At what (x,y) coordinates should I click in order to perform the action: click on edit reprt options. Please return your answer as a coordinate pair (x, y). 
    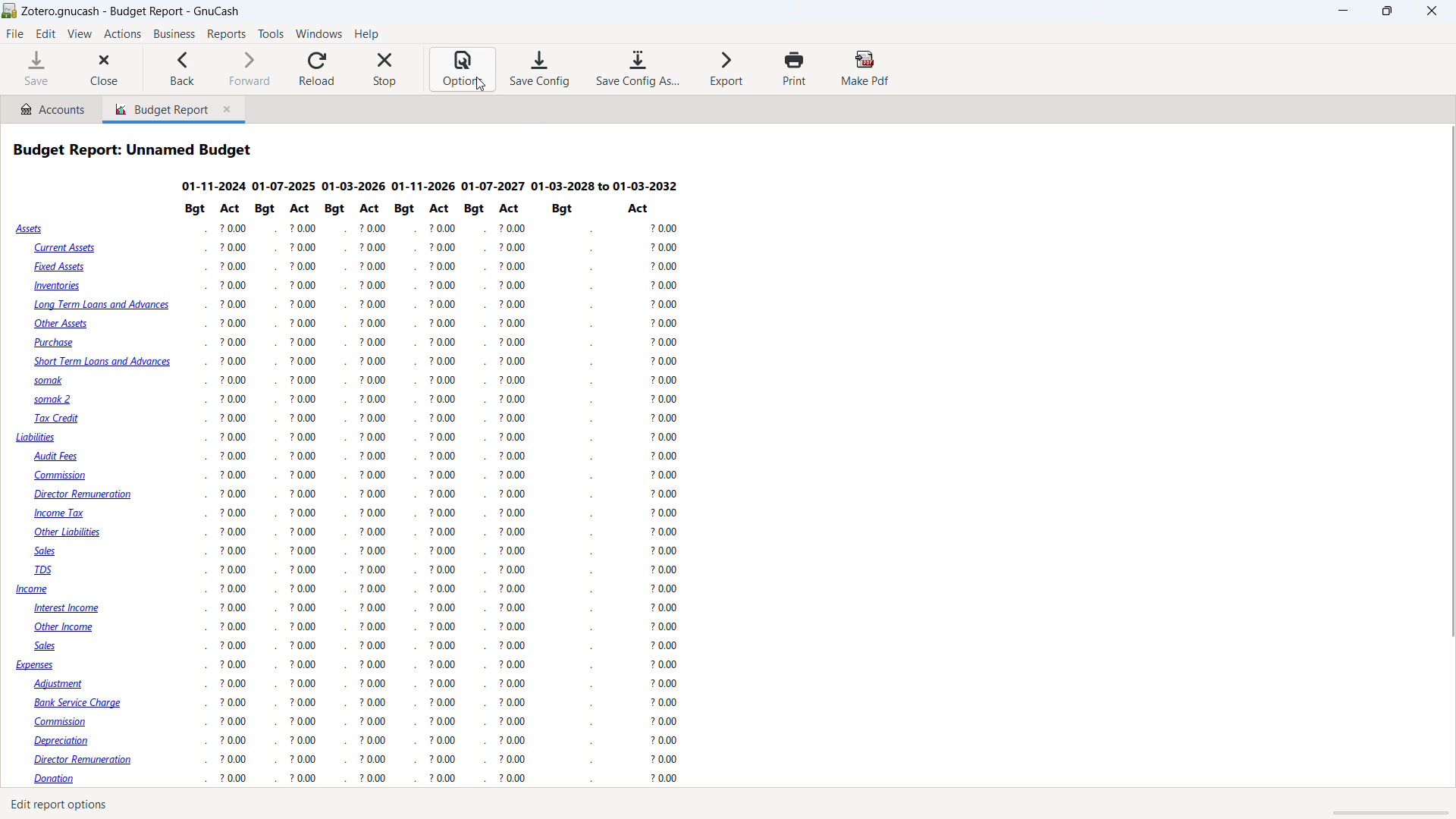
    Looking at the image, I should click on (67, 805).